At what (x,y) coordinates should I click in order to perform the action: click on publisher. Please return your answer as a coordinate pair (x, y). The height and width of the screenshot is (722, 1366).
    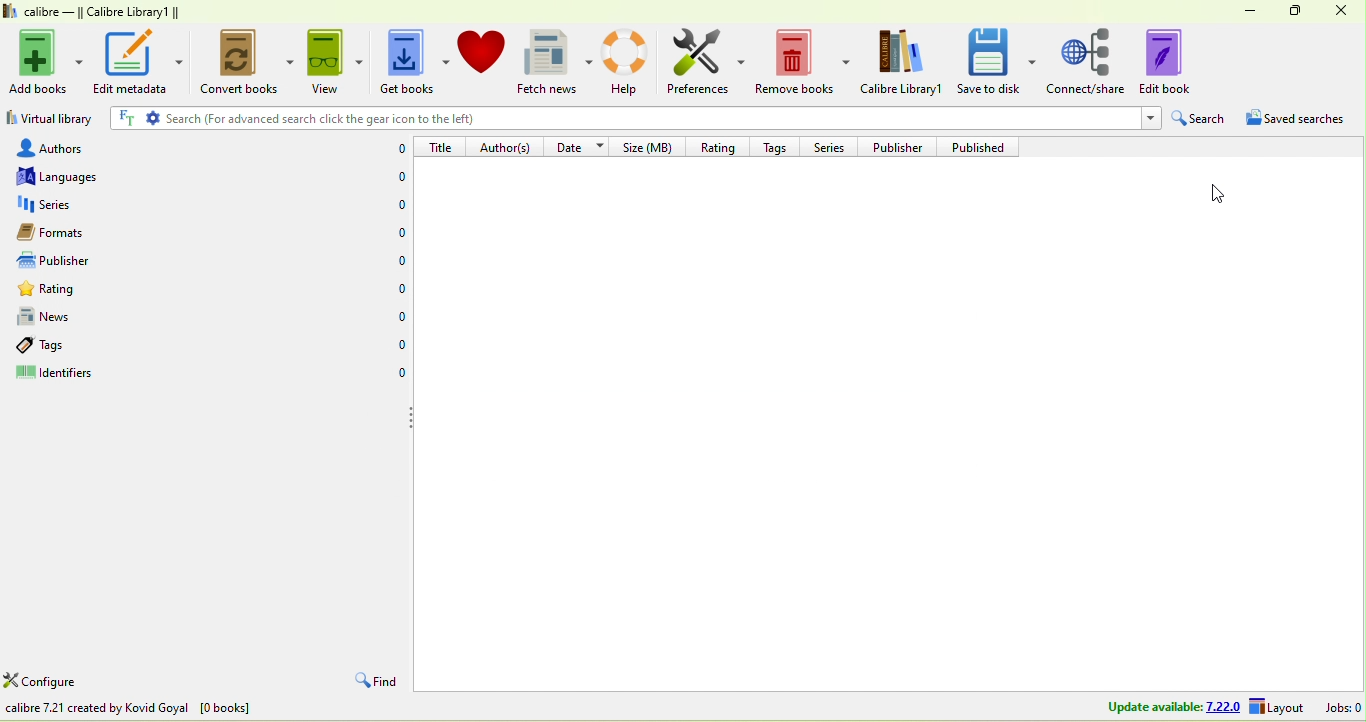
    Looking at the image, I should click on (903, 146).